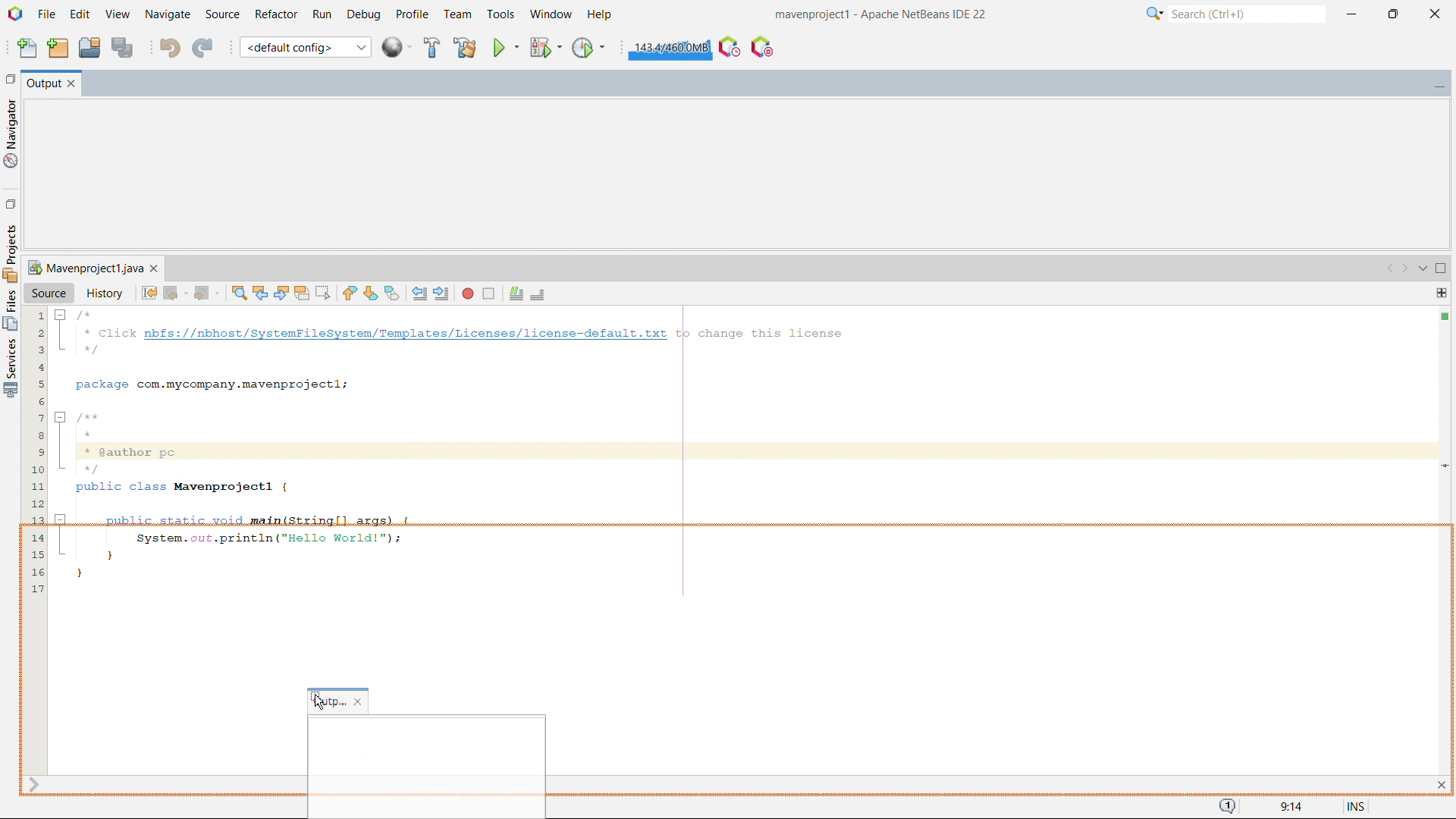  Describe the element at coordinates (1351, 14) in the screenshot. I see `minimize` at that location.